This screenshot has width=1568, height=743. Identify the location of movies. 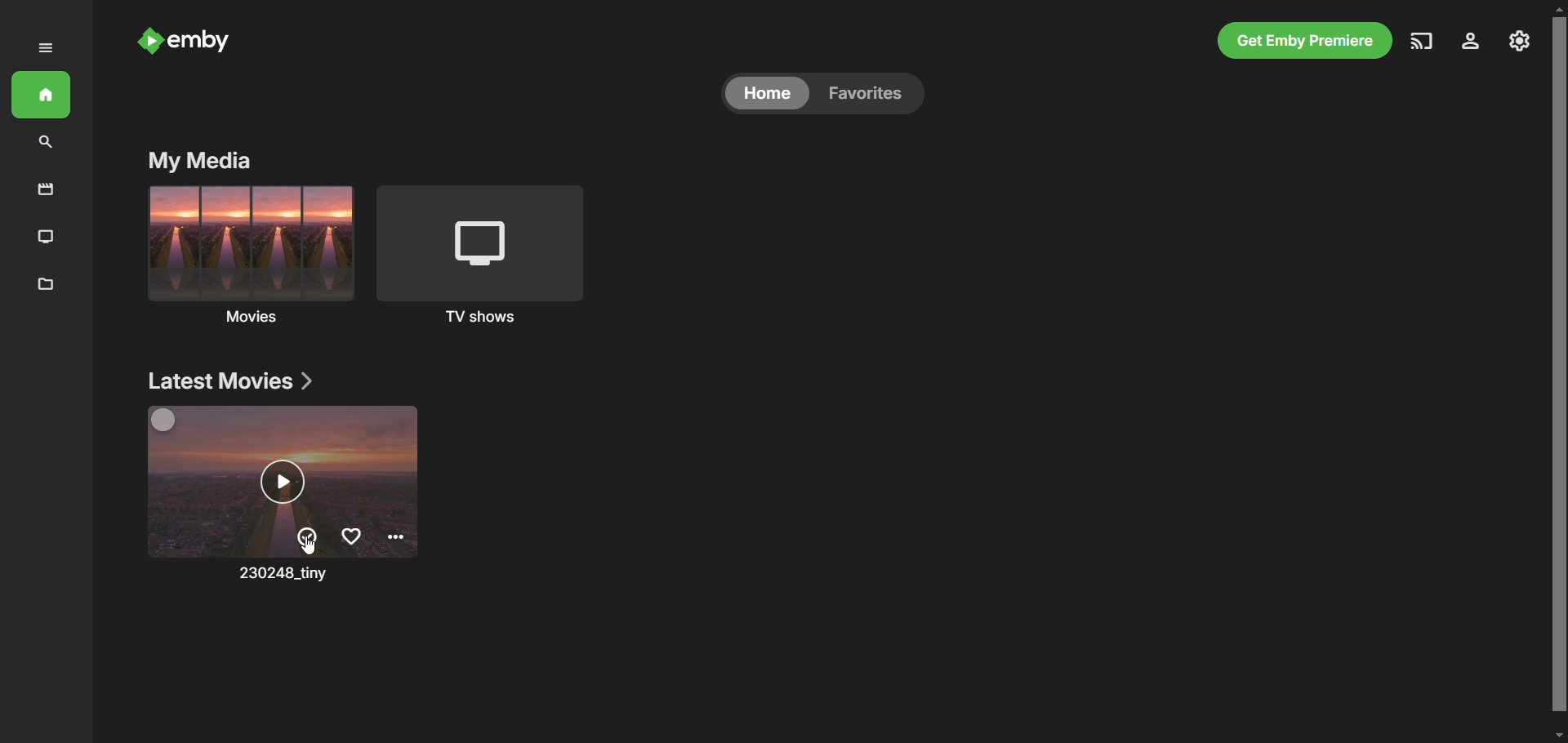
(248, 253).